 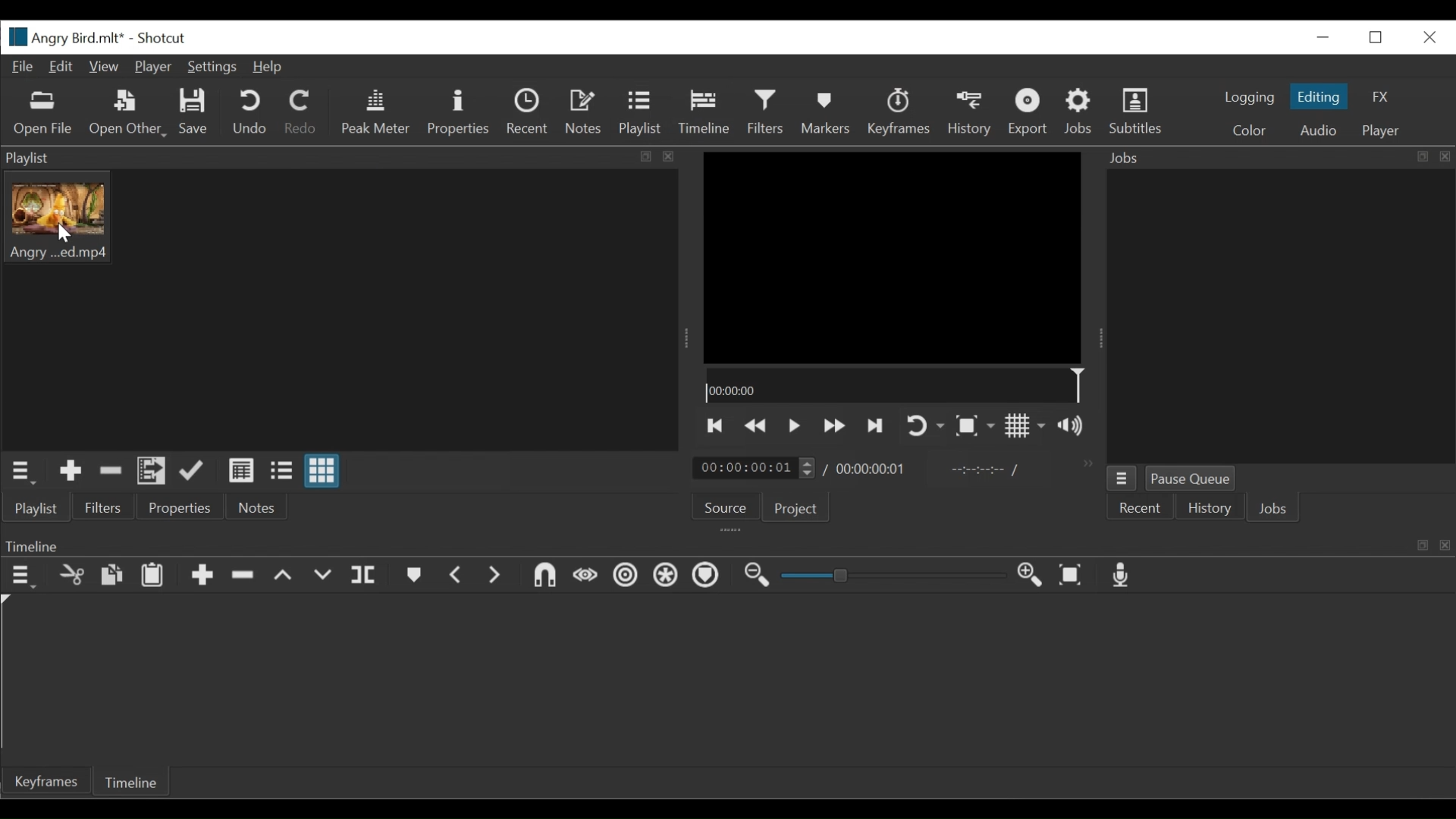 What do you see at coordinates (24, 67) in the screenshot?
I see `File` at bounding box center [24, 67].